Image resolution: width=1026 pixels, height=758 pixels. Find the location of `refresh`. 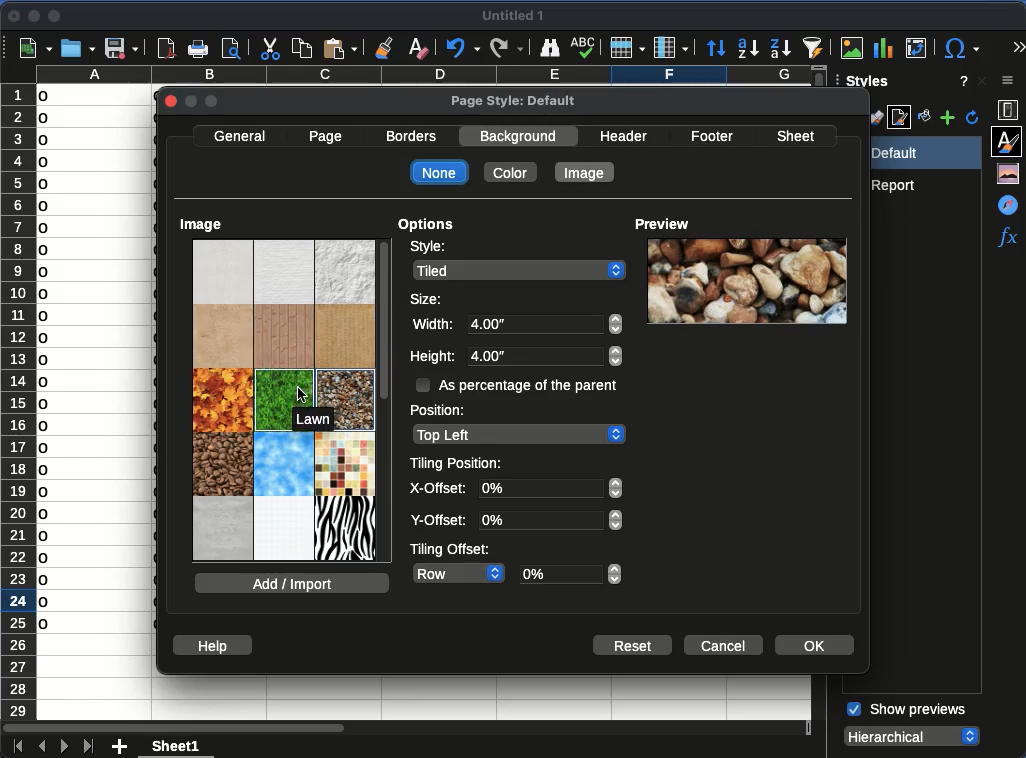

refresh is located at coordinates (973, 118).